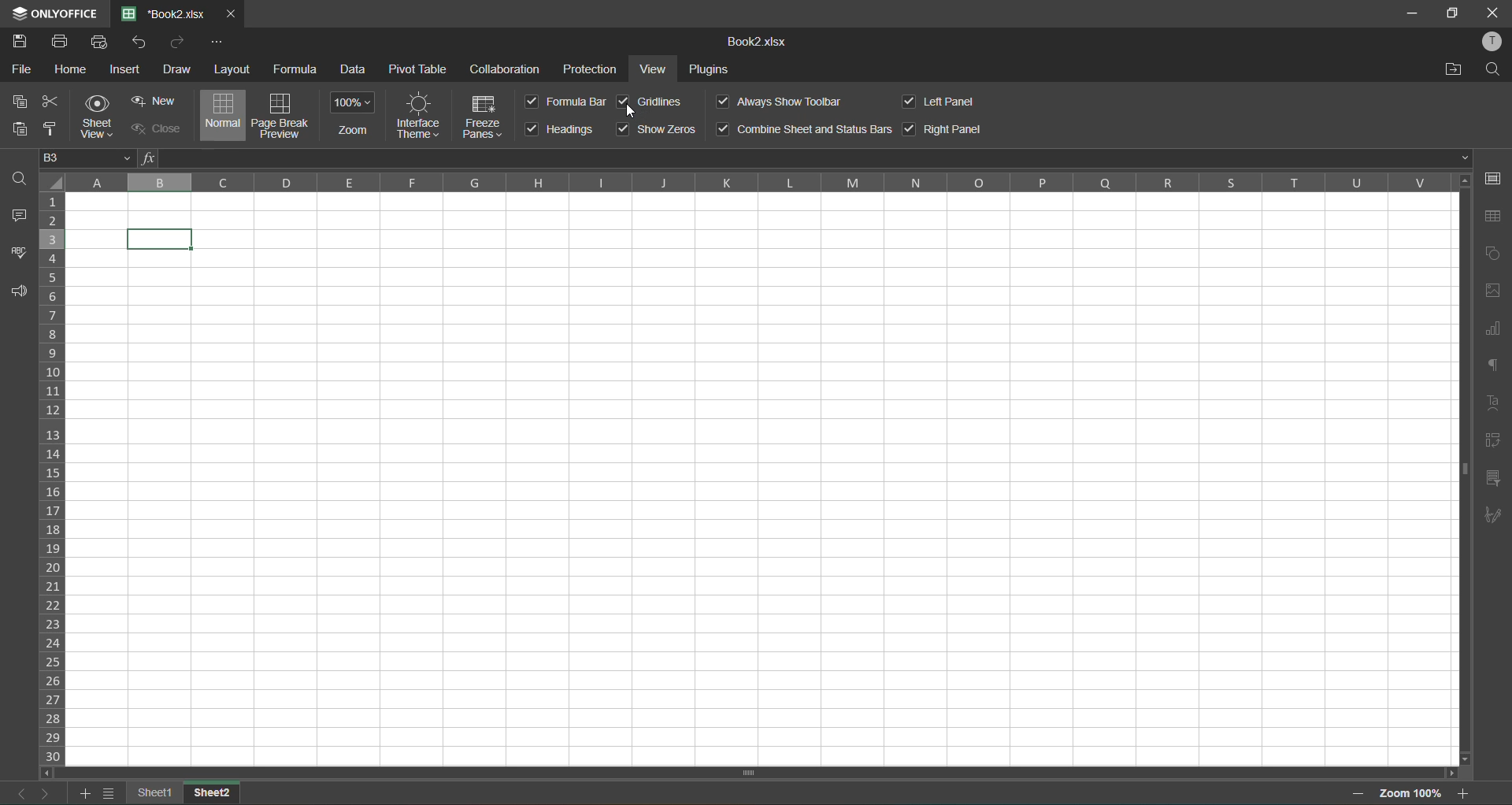 The height and width of the screenshot is (805, 1512). What do you see at coordinates (1493, 517) in the screenshot?
I see `signature` at bounding box center [1493, 517].